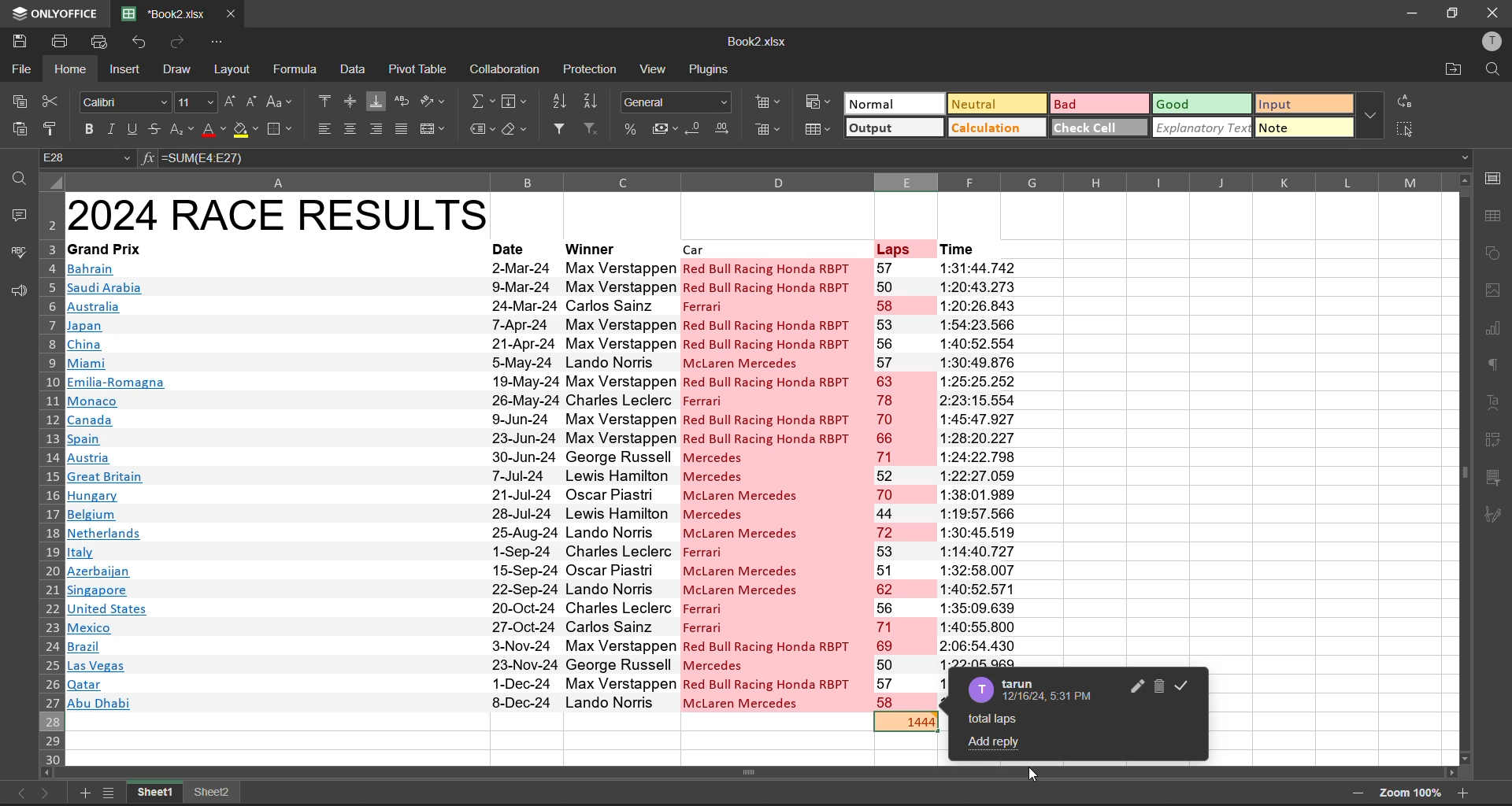 This screenshot has height=806, width=1512. Describe the element at coordinates (904, 485) in the screenshot. I see `laps` at that location.